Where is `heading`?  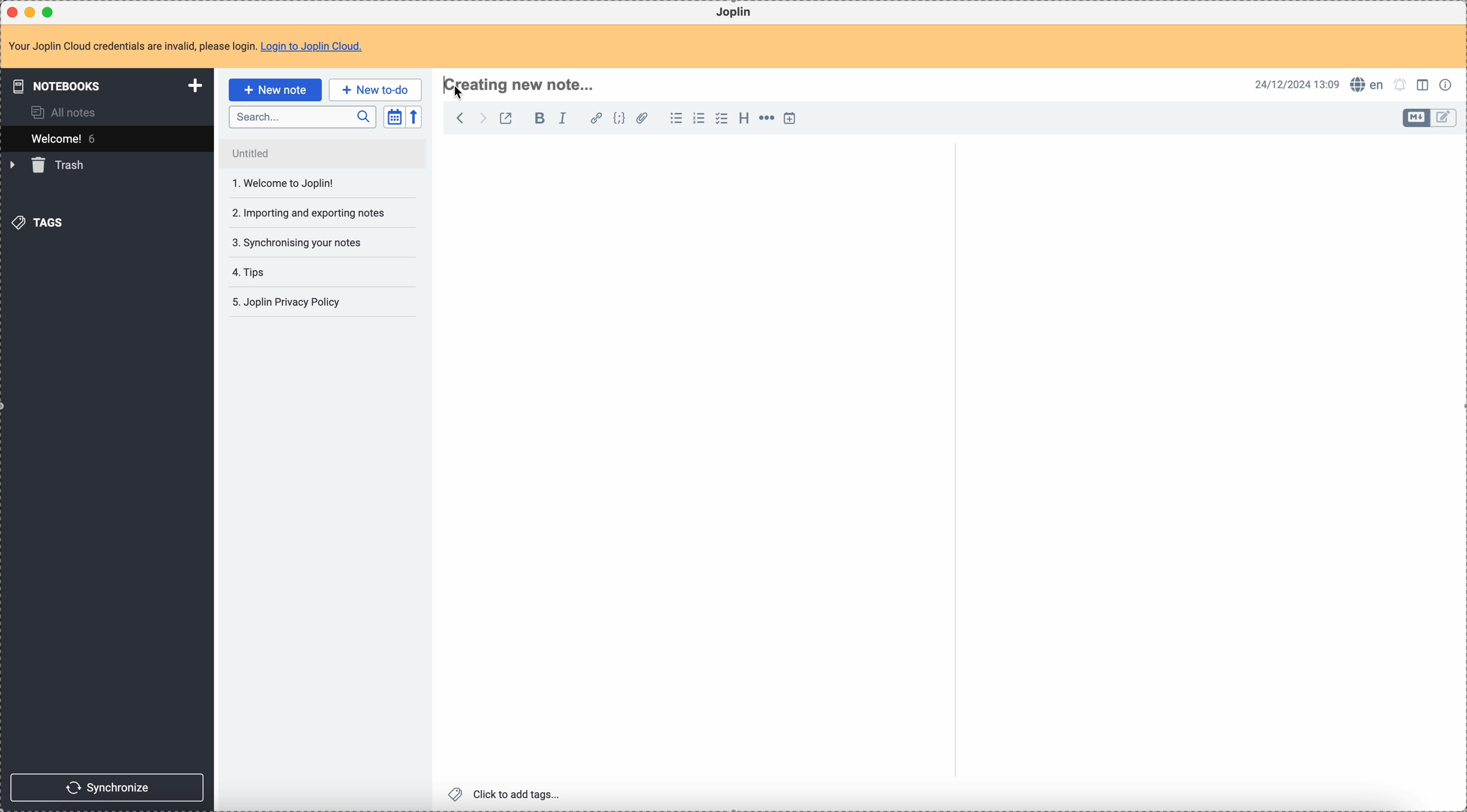 heading is located at coordinates (744, 117).